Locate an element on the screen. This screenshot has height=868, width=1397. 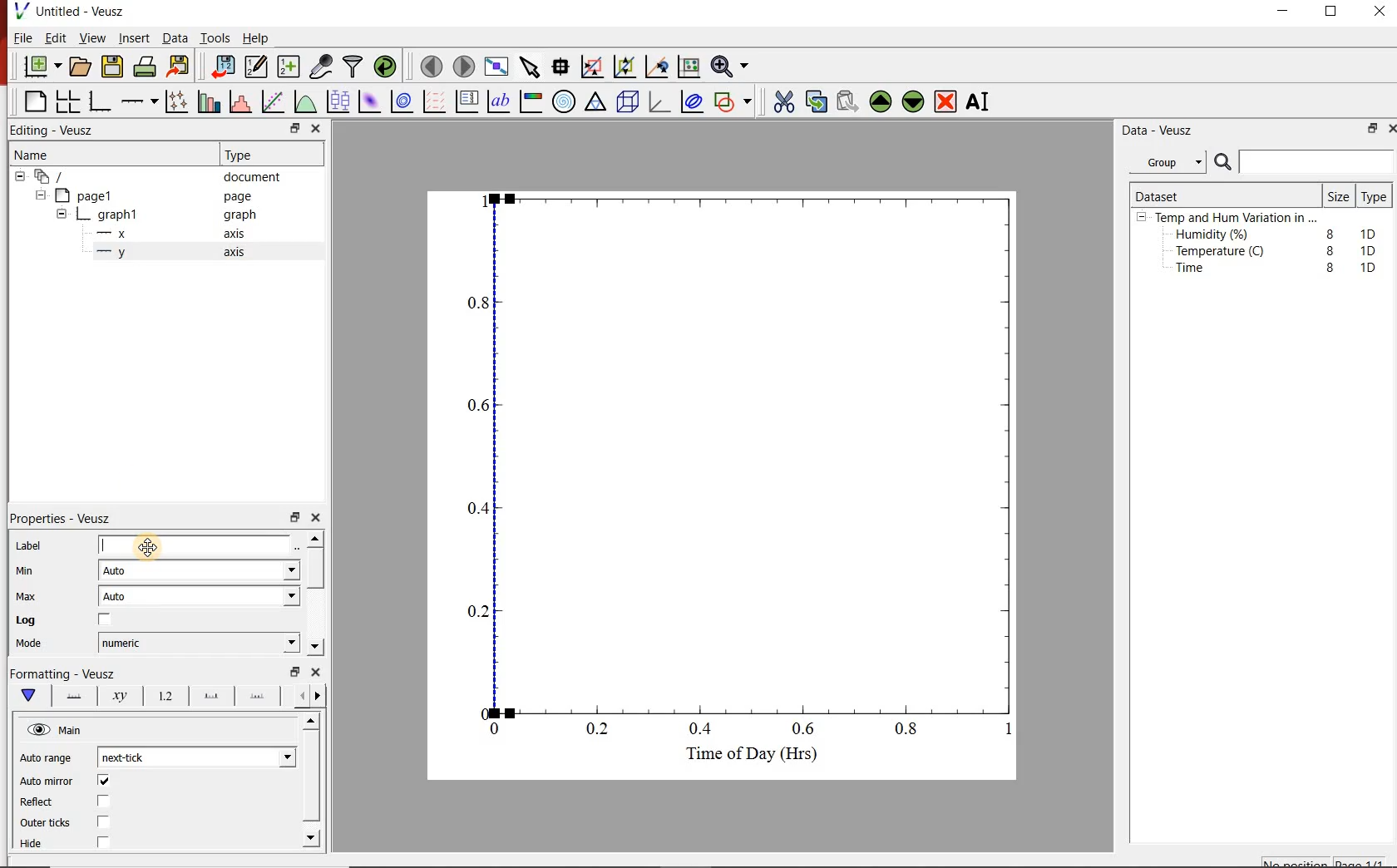
Untitled - Veusz is located at coordinates (74, 11).